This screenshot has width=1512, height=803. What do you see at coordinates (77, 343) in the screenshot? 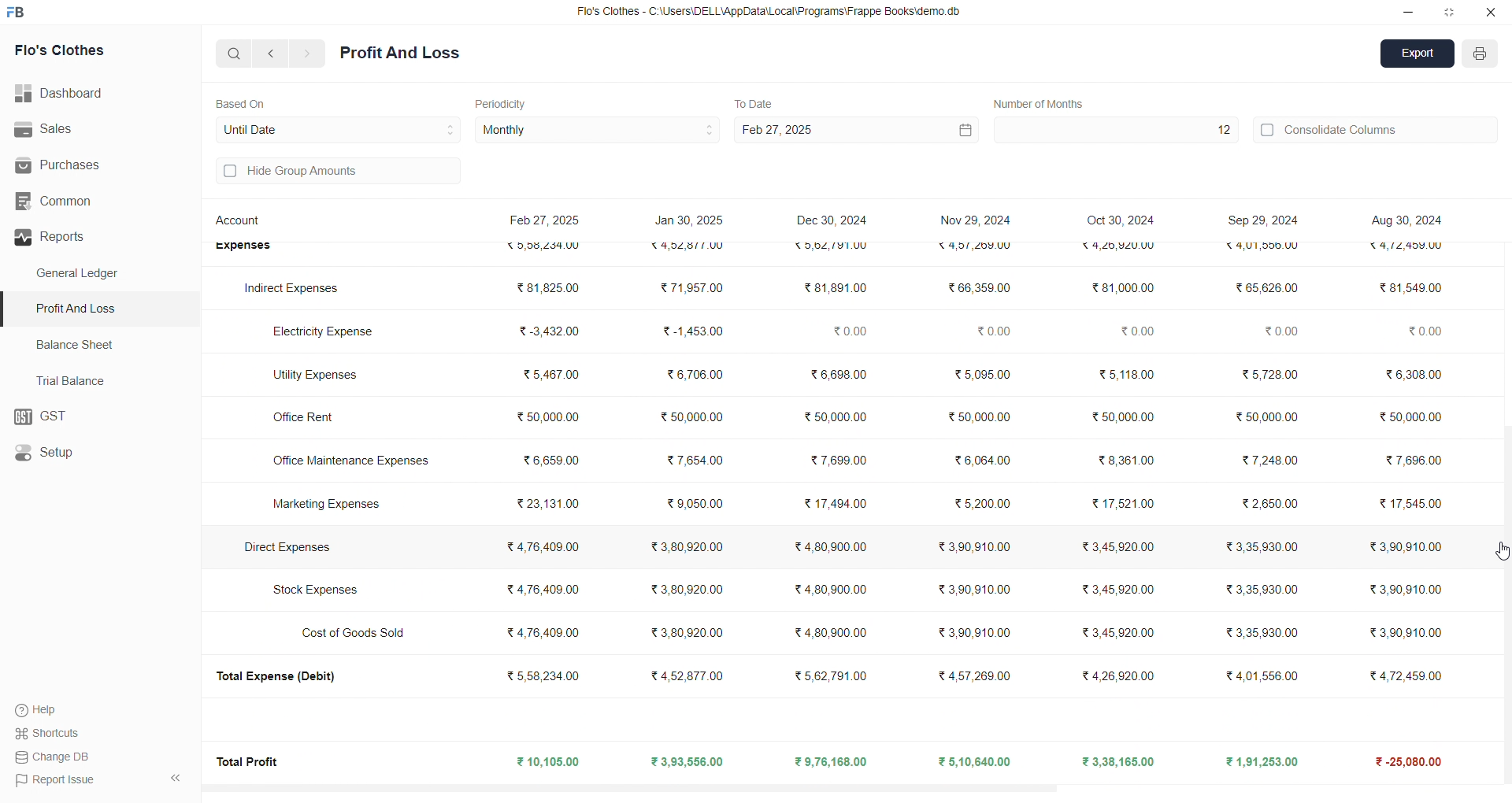
I see `Balance Sheet` at bounding box center [77, 343].